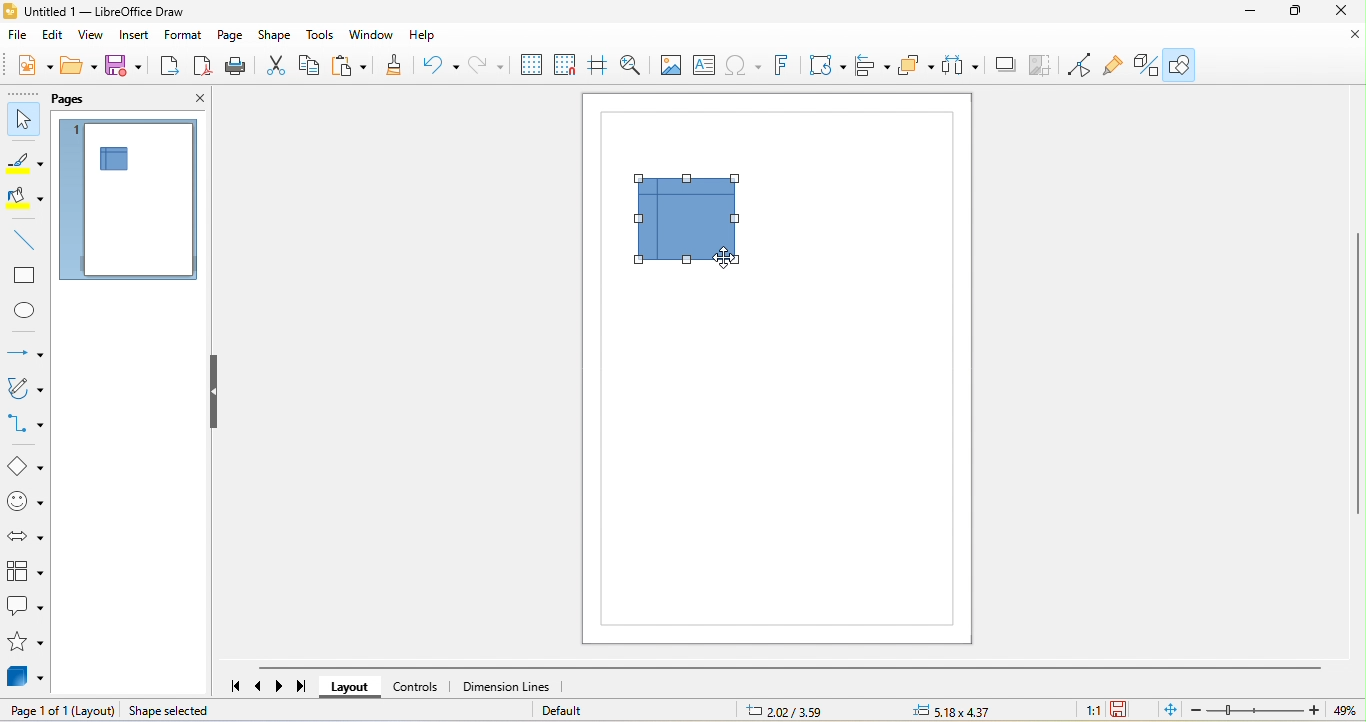  Describe the element at coordinates (396, 67) in the screenshot. I see `clone formatting` at that location.